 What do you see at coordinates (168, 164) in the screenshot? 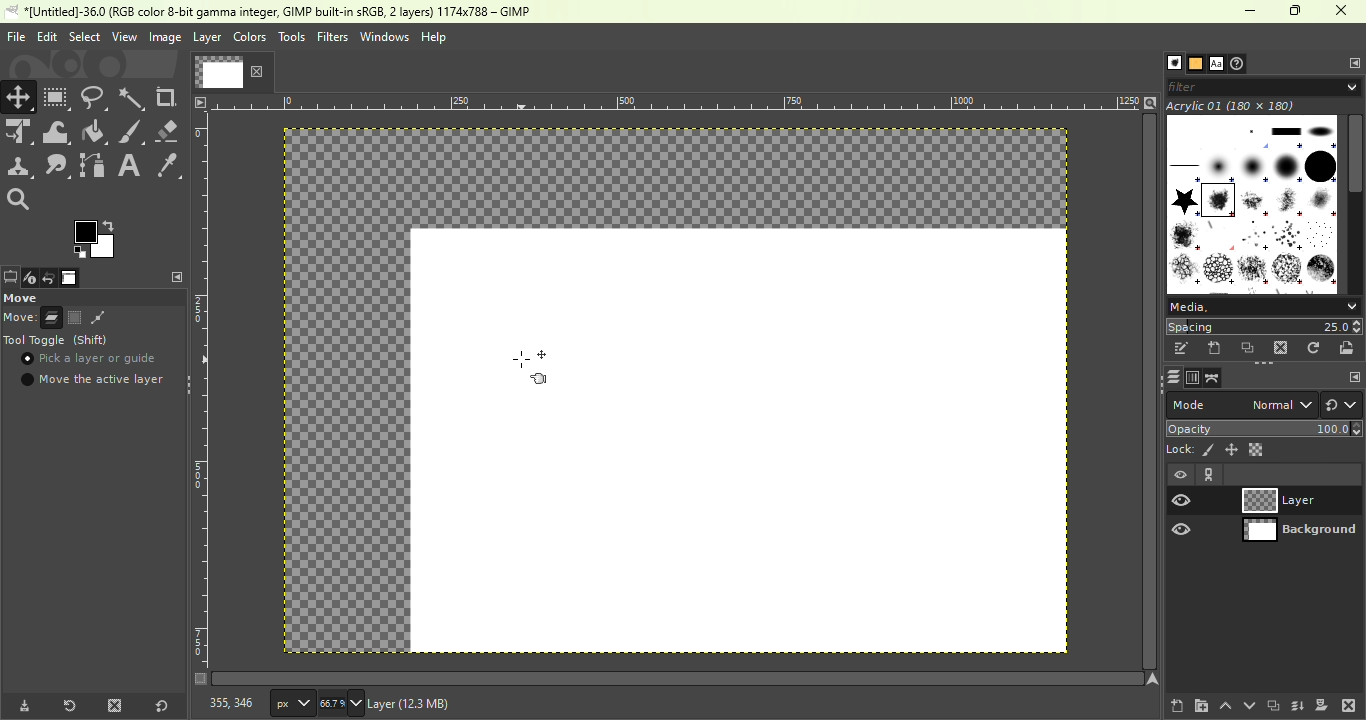
I see `Color picker tool` at bounding box center [168, 164].